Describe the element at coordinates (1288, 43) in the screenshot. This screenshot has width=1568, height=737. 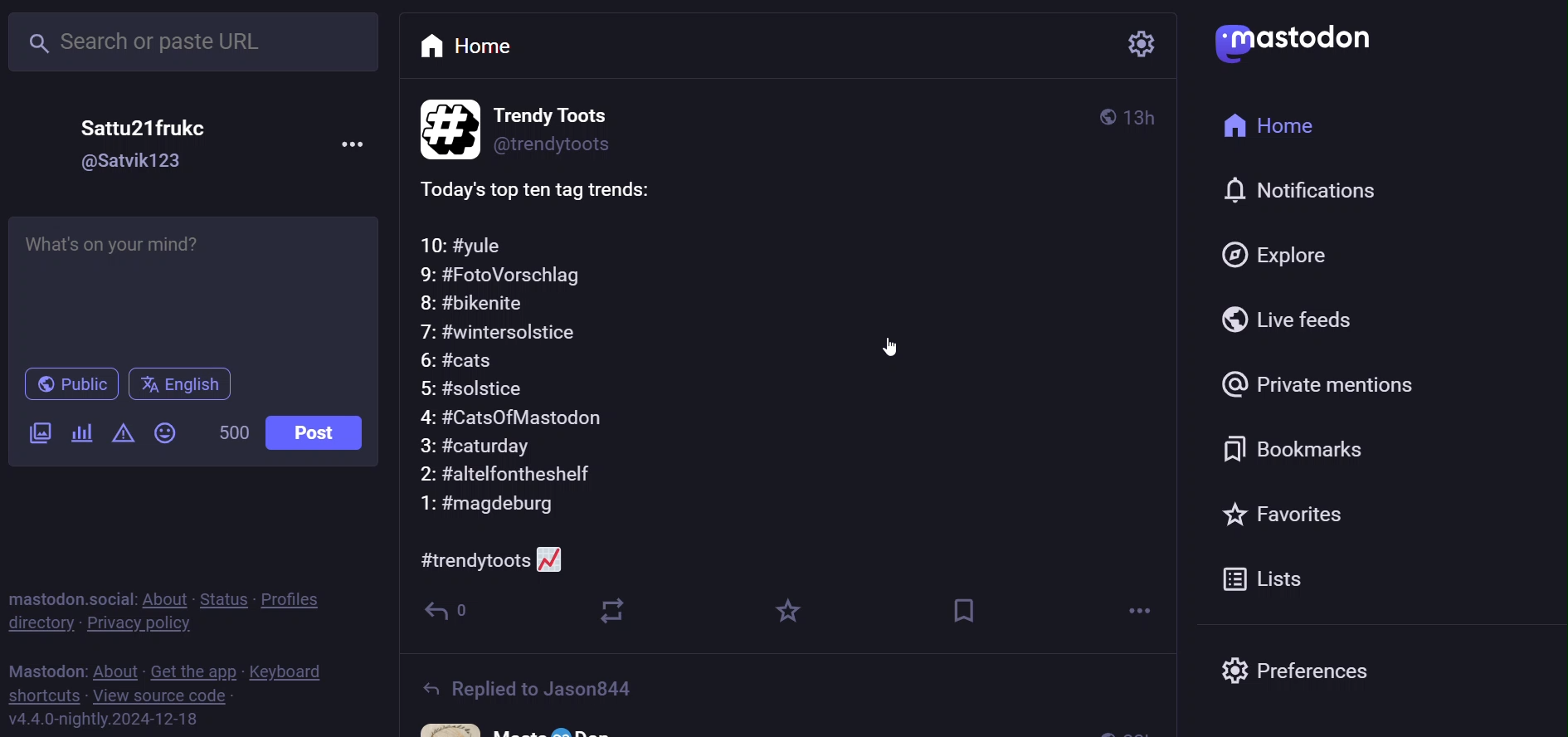
I see `mastodon` at that location.